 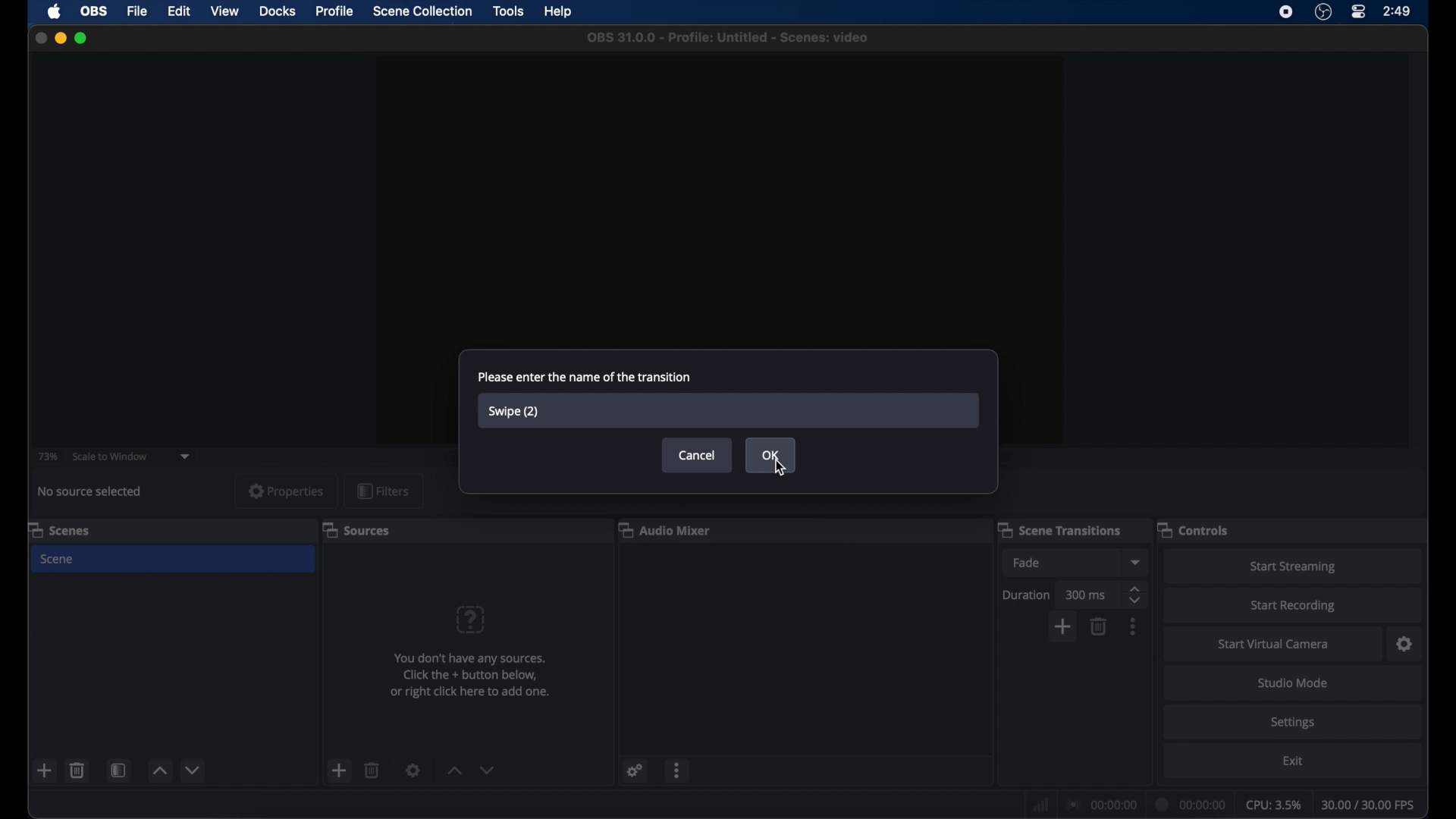 What do you see at coordinates (177, 11) in the screenshot?
I see `edit` at bounding box center [177, 11].